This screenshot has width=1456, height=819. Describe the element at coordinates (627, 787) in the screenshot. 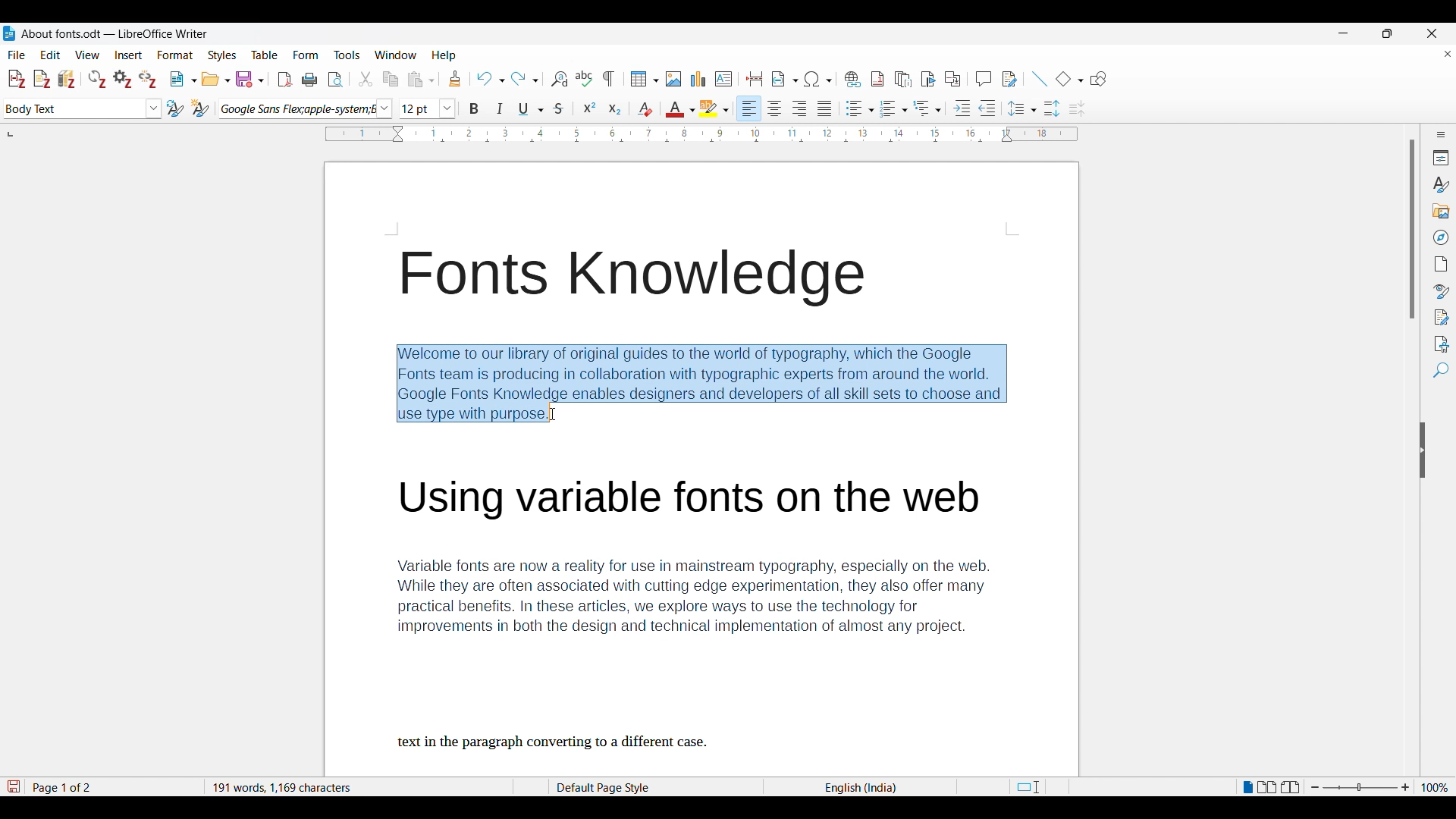

I see `Page style` at that location.